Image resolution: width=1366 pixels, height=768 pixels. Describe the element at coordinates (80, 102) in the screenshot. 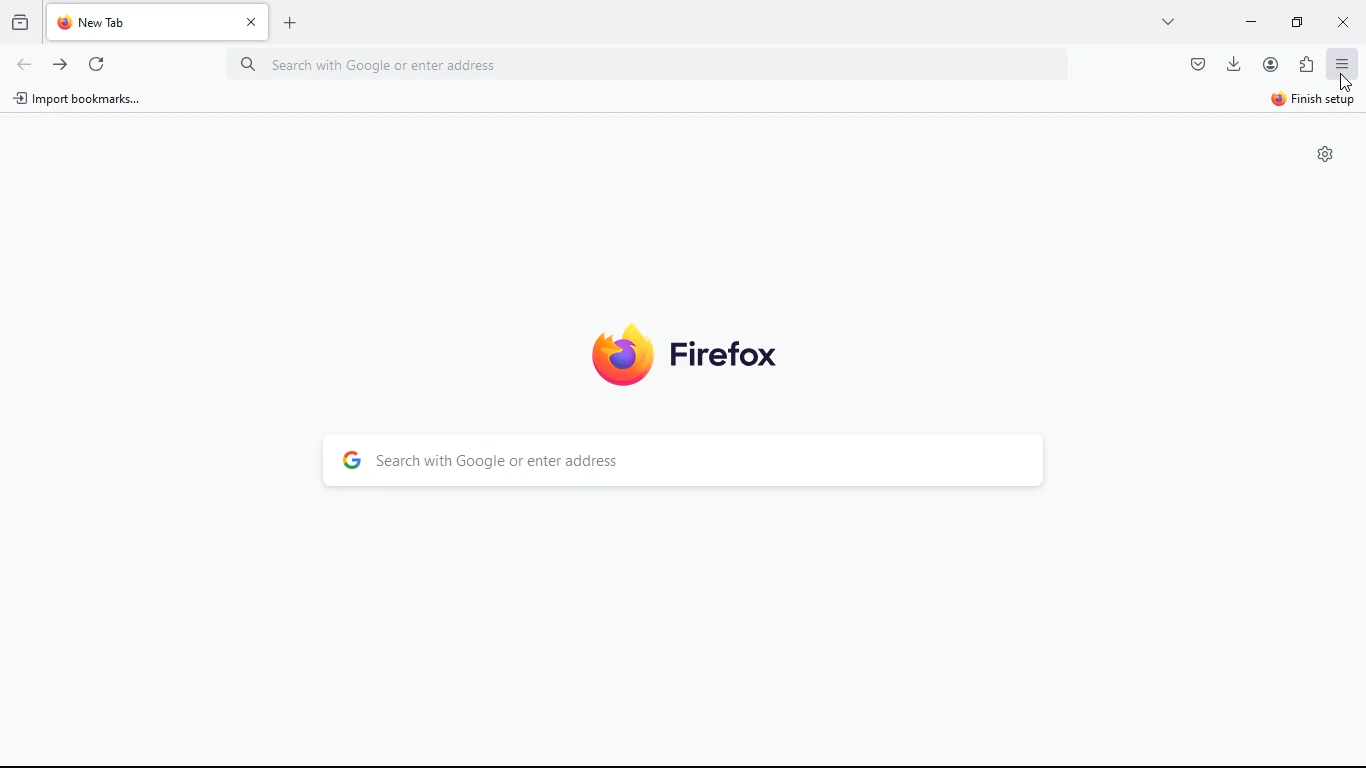

I see `import bookmarks` at that location.